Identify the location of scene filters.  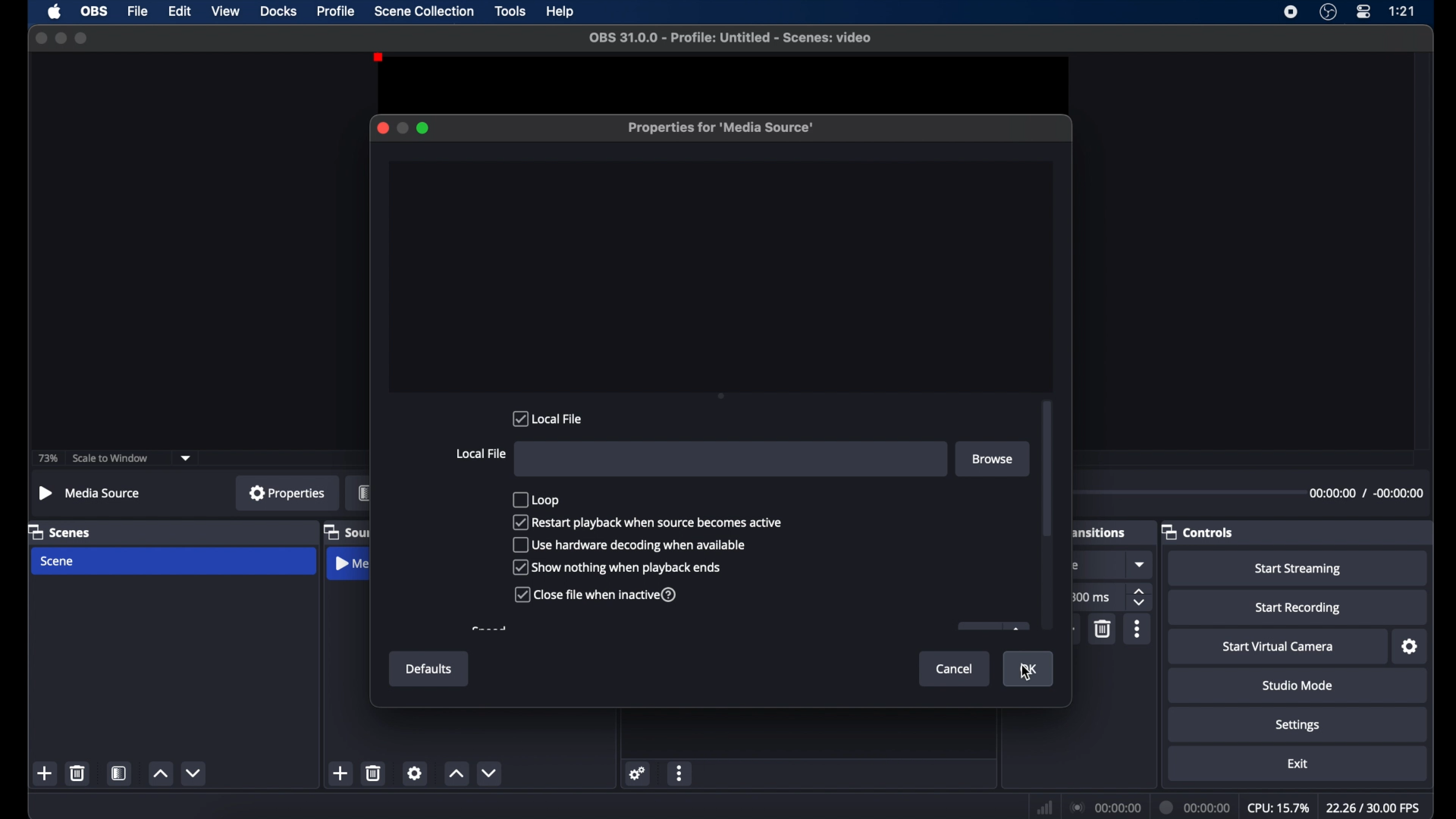
(119, 775).